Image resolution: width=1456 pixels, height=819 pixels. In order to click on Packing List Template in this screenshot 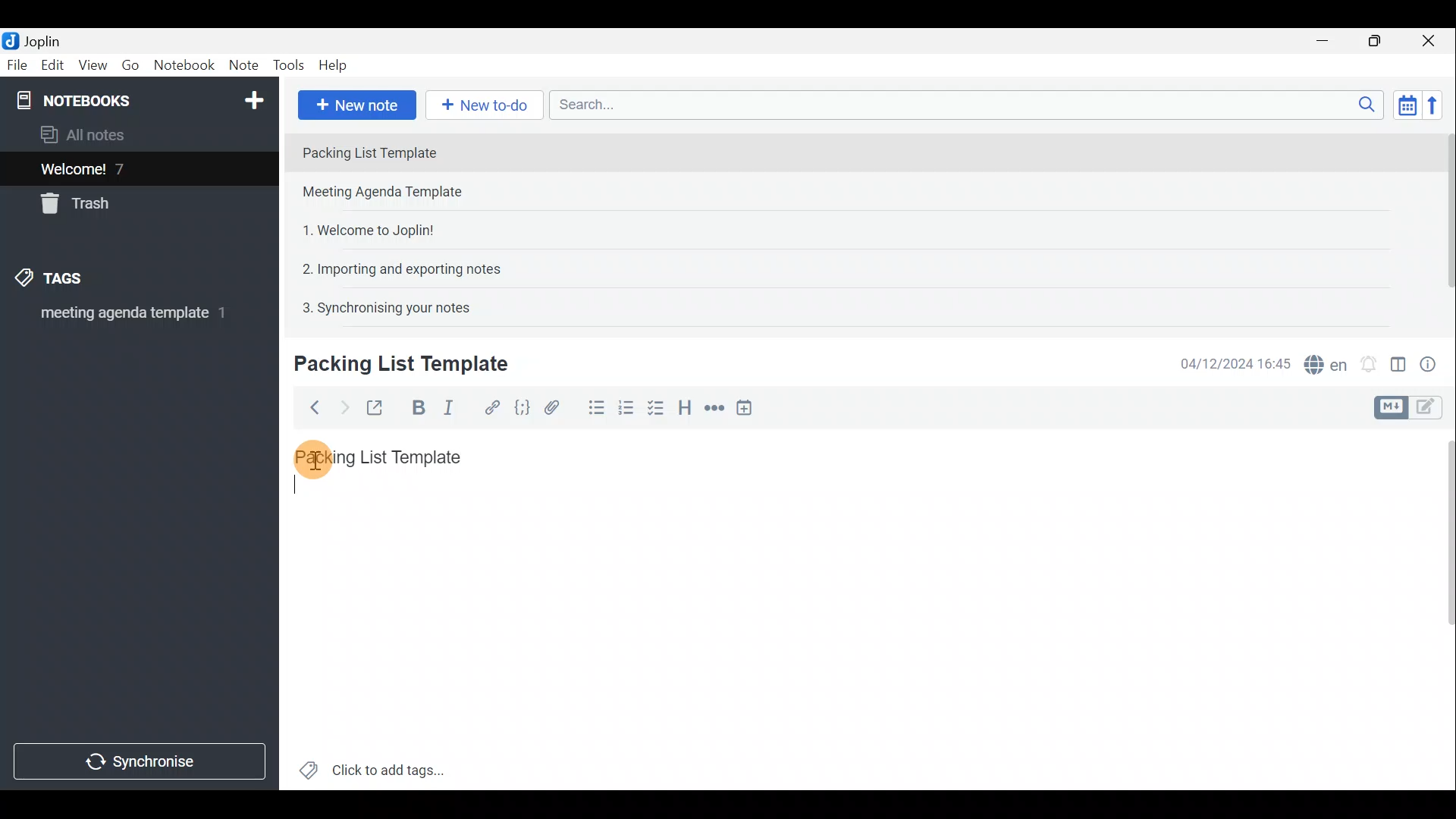, I will do `click(380, 457)`.